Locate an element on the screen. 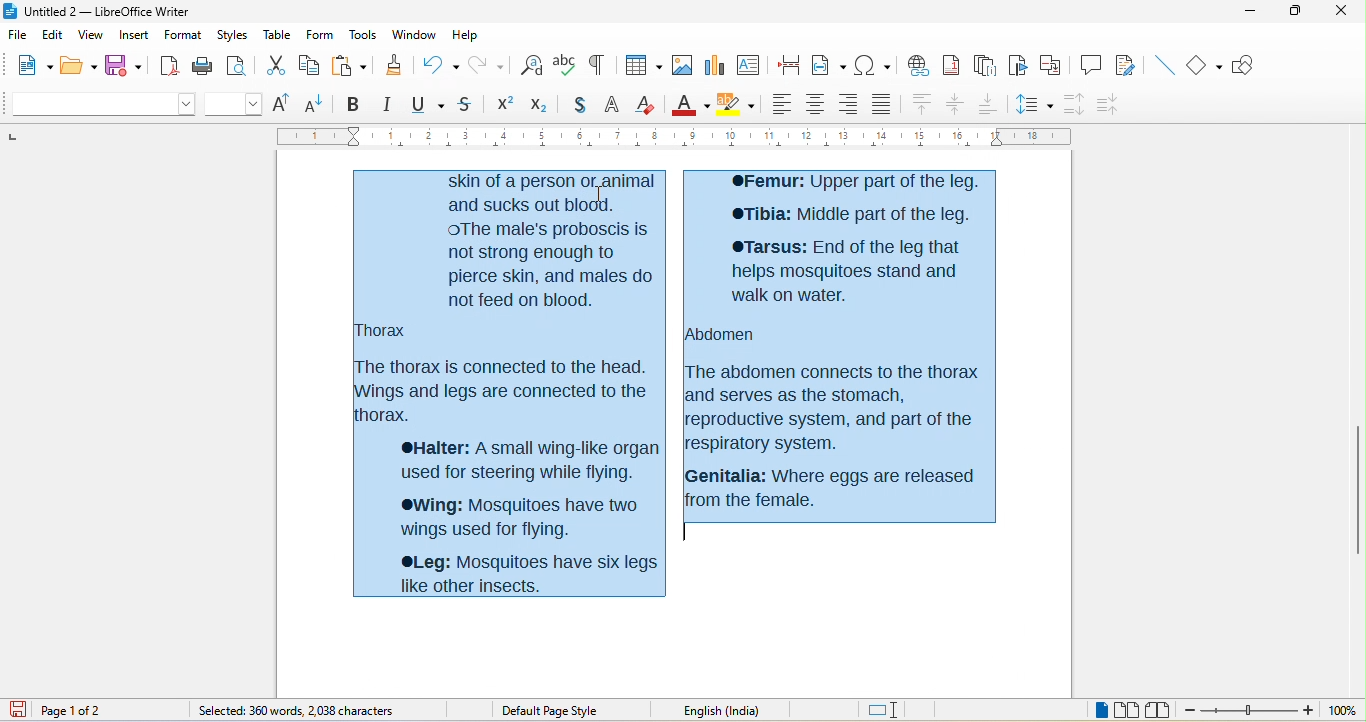 This screenshot has height=722, width=1366. table is located at coordinates (276, 34).